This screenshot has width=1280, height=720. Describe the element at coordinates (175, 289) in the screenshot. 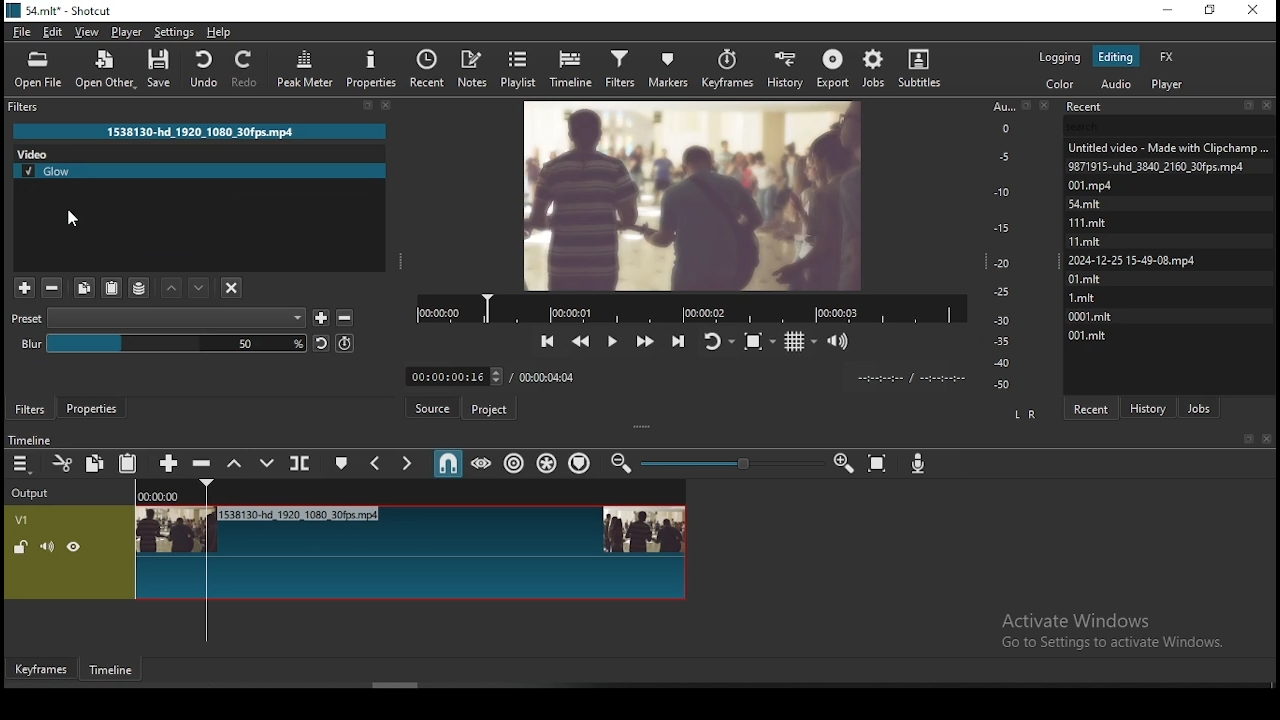

I see `move filter up` at that location.